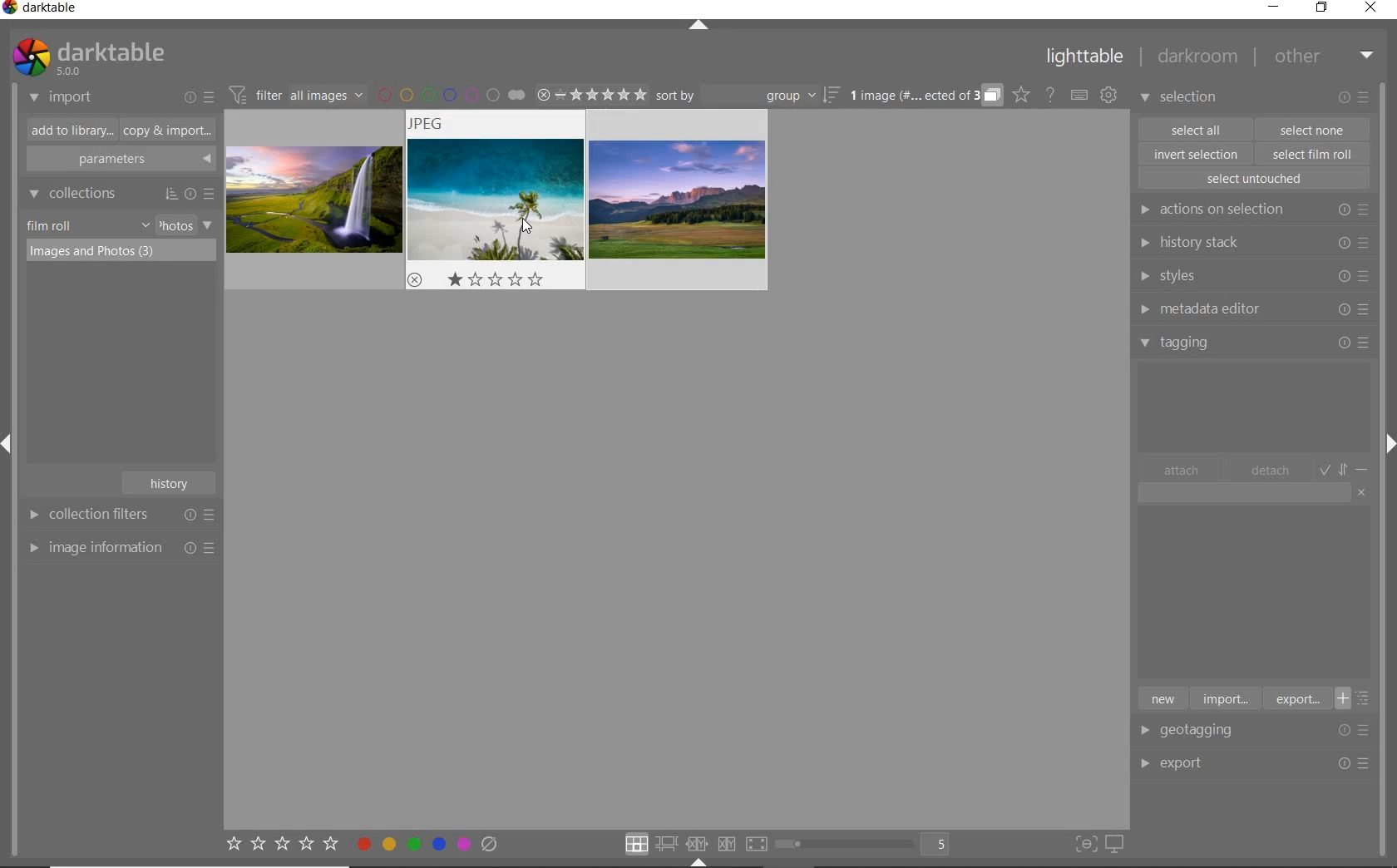  What do you see at coordinates (428, 843) in the screenshot?
I see `toggle color label of selected images` at bounding box center [428, 843].